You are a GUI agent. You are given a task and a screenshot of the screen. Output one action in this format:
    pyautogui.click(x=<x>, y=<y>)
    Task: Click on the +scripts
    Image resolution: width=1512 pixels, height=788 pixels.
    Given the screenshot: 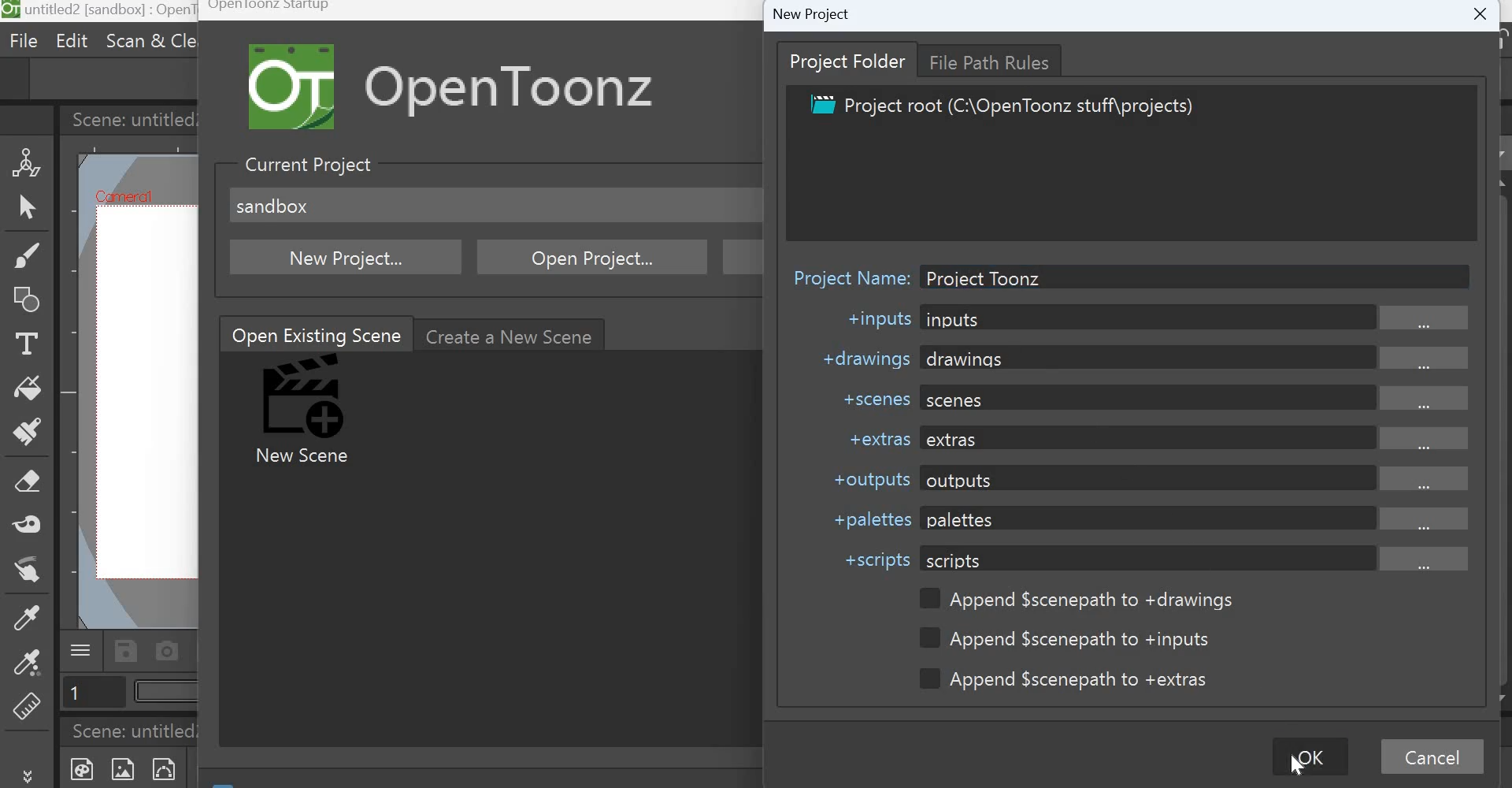 What is the action you would take?
    pyautogui.click(x=877, y=560)
    